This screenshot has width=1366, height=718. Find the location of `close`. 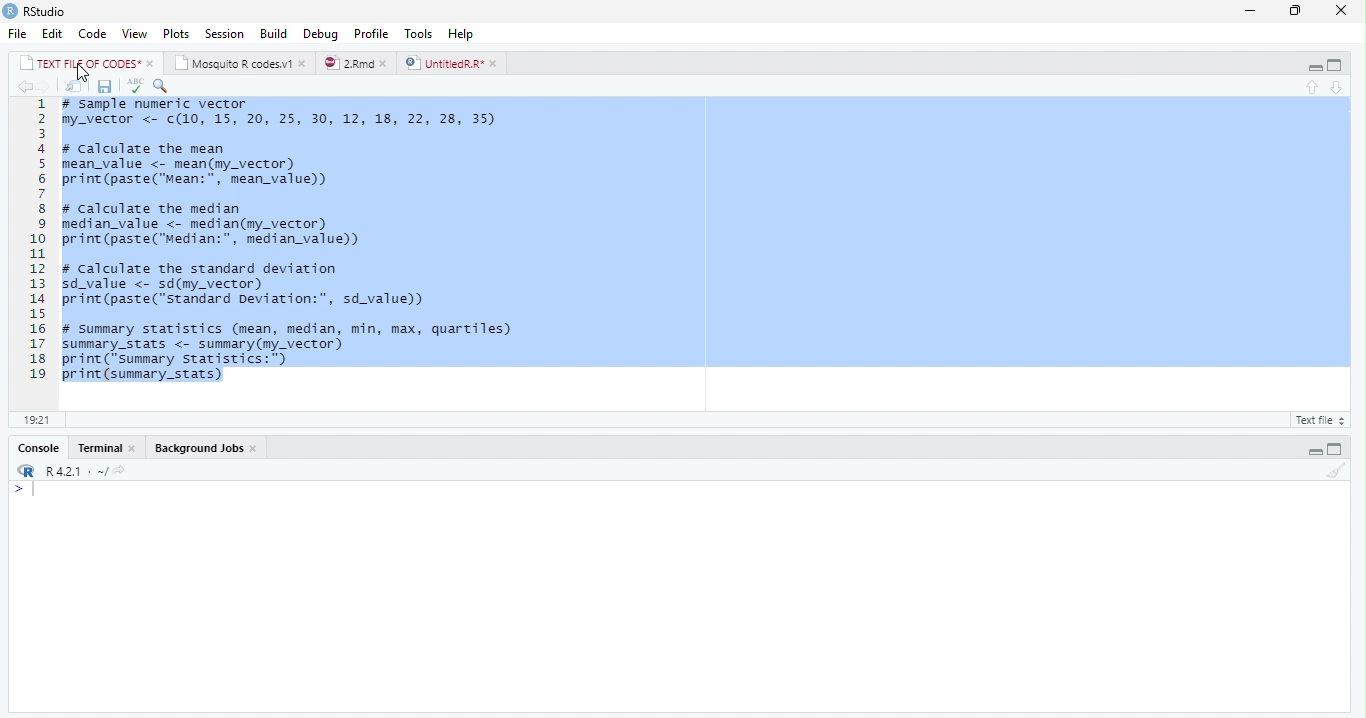

close is located at coordinates (388, 64).